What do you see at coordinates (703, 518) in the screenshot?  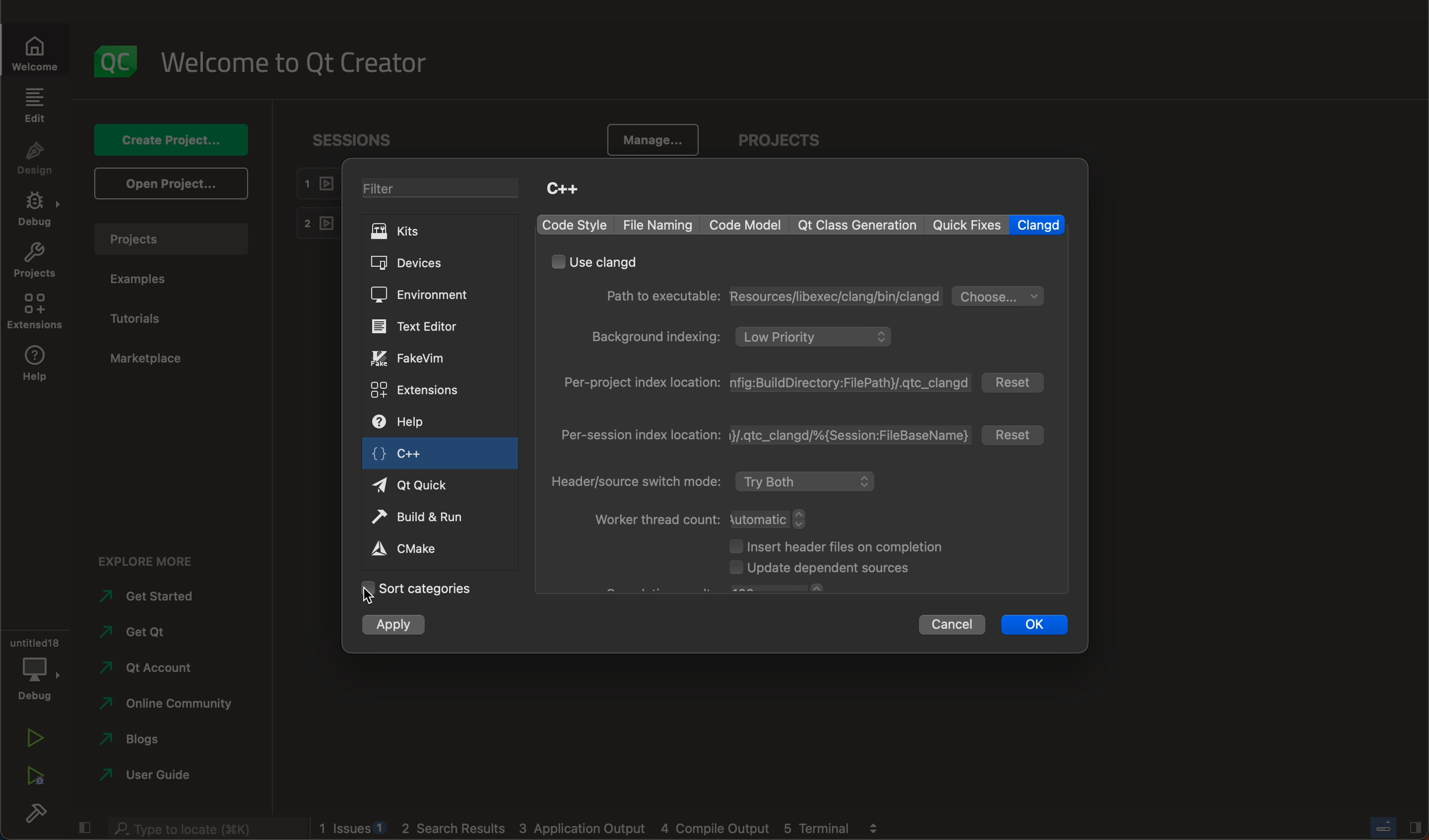 I see `worker thread` at bounding box center [703, 518].